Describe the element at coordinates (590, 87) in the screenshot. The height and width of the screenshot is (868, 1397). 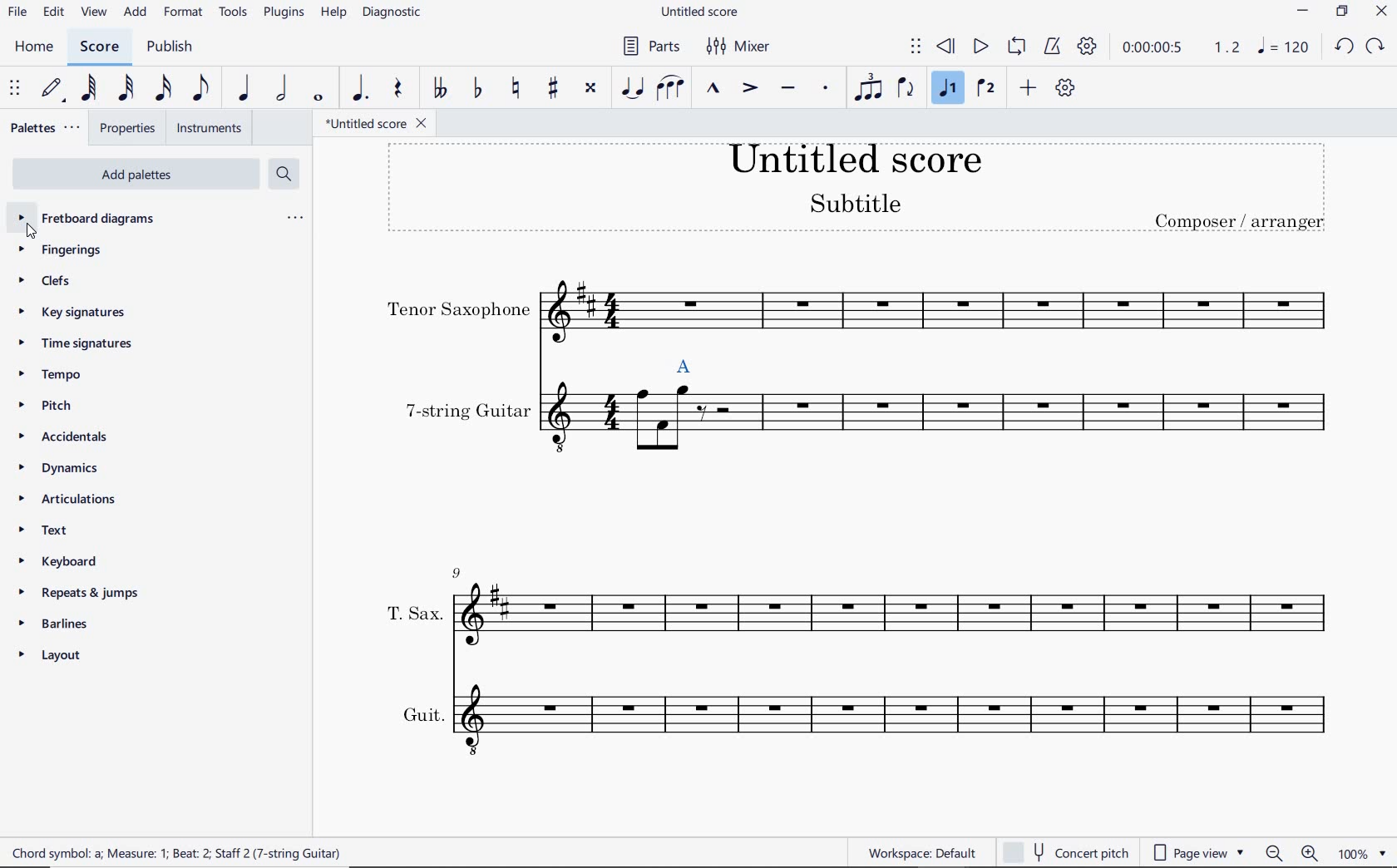
I see `TOGGLE DOUBLE-SHARP` at that location.